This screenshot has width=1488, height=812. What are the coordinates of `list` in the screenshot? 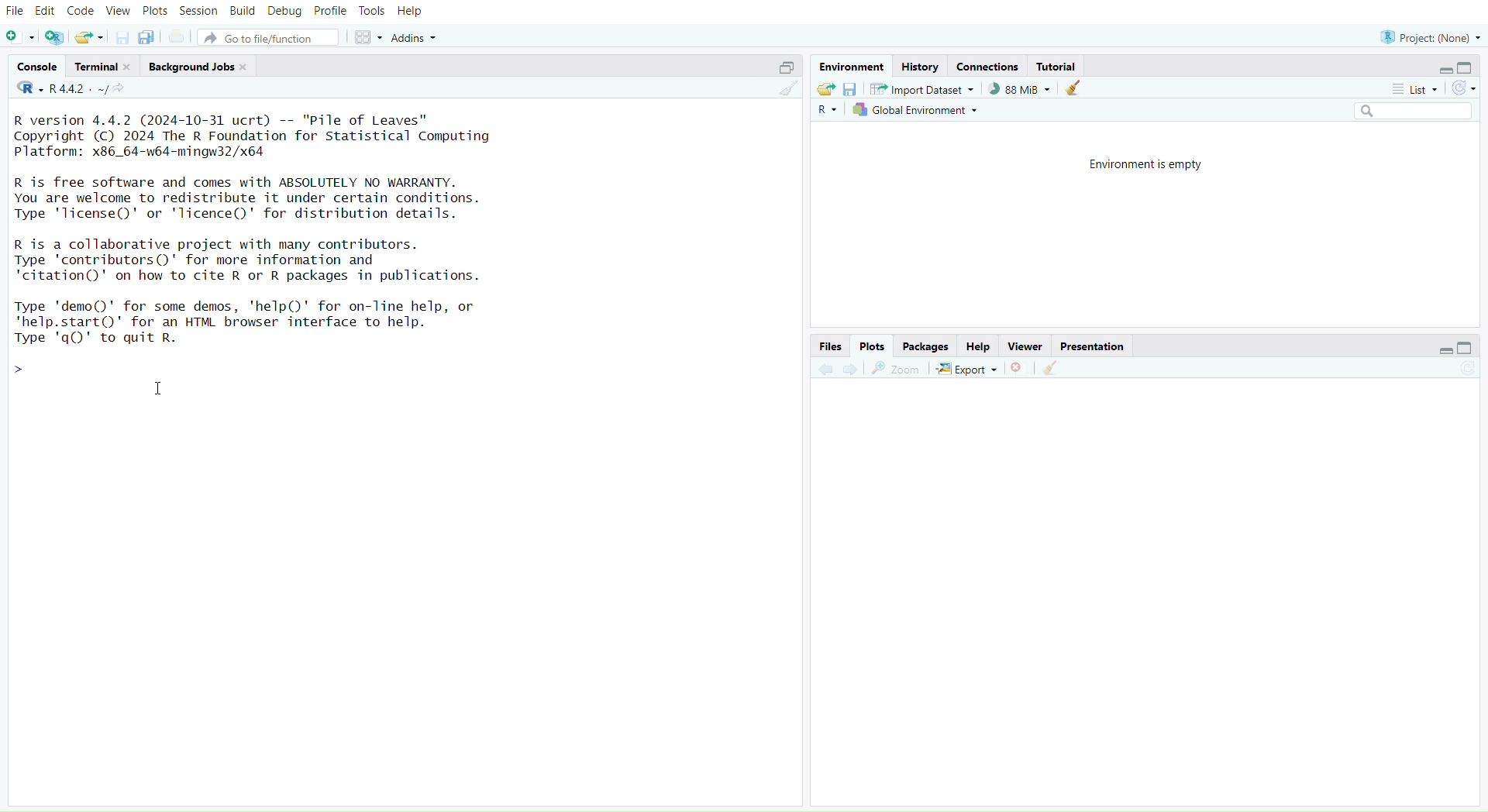 It's located at (1410, 91).